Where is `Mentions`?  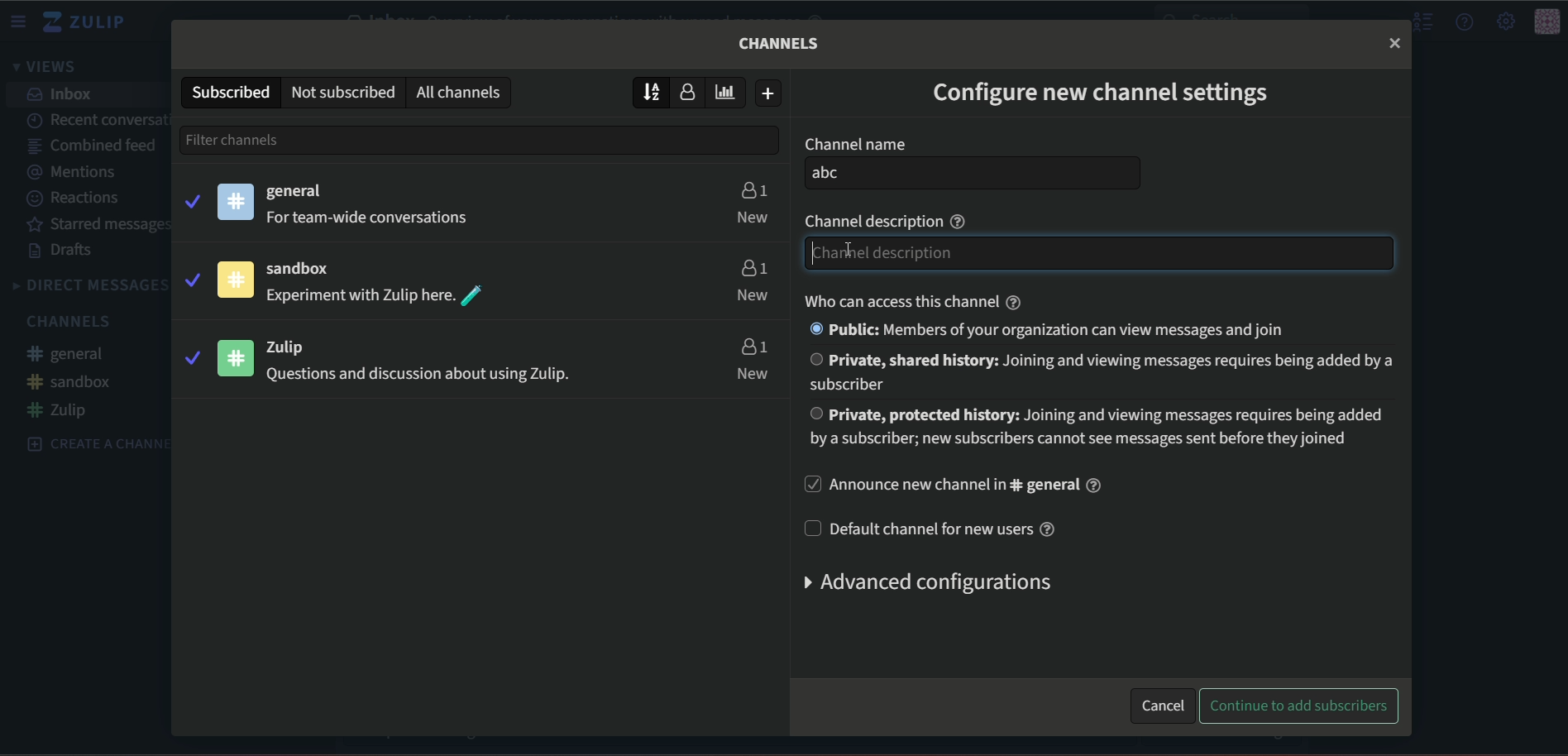
Mentions is located at coordinates (74, 171).